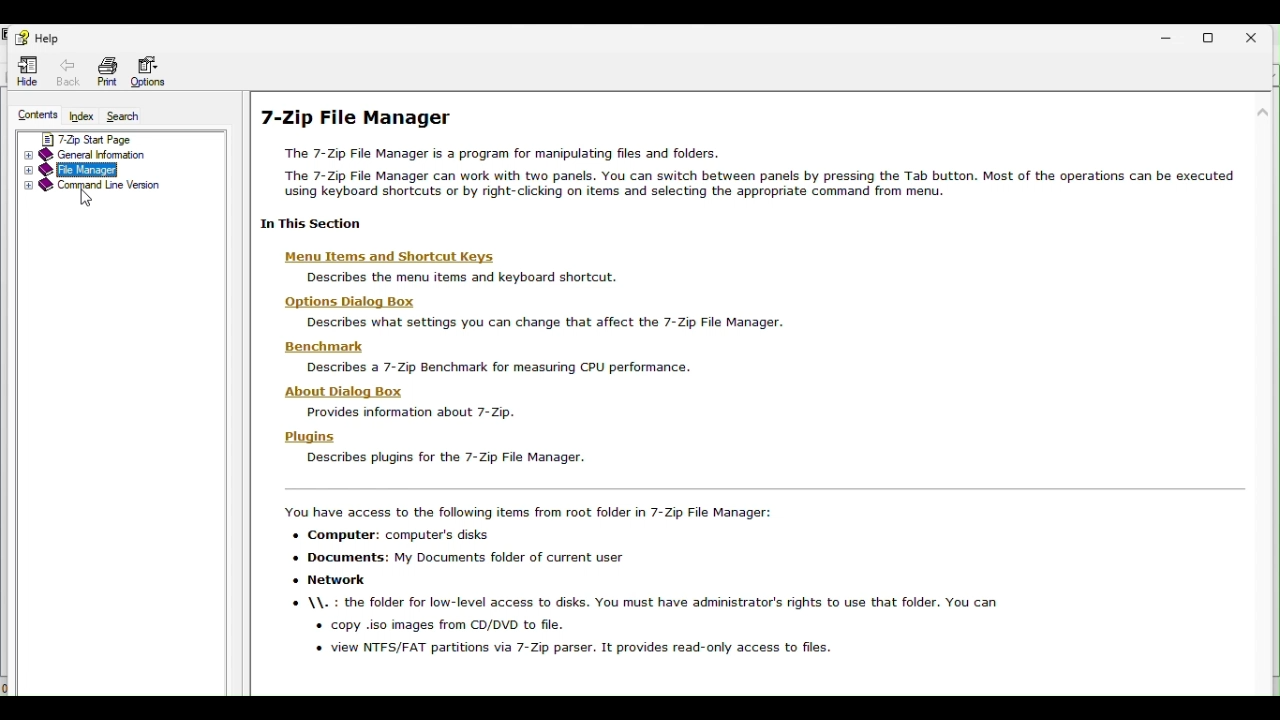 The width and height of the screenshot is (1280, 720). Describe the element at coordinates (153, 73) in the screenshot. I see `Options` at that location.